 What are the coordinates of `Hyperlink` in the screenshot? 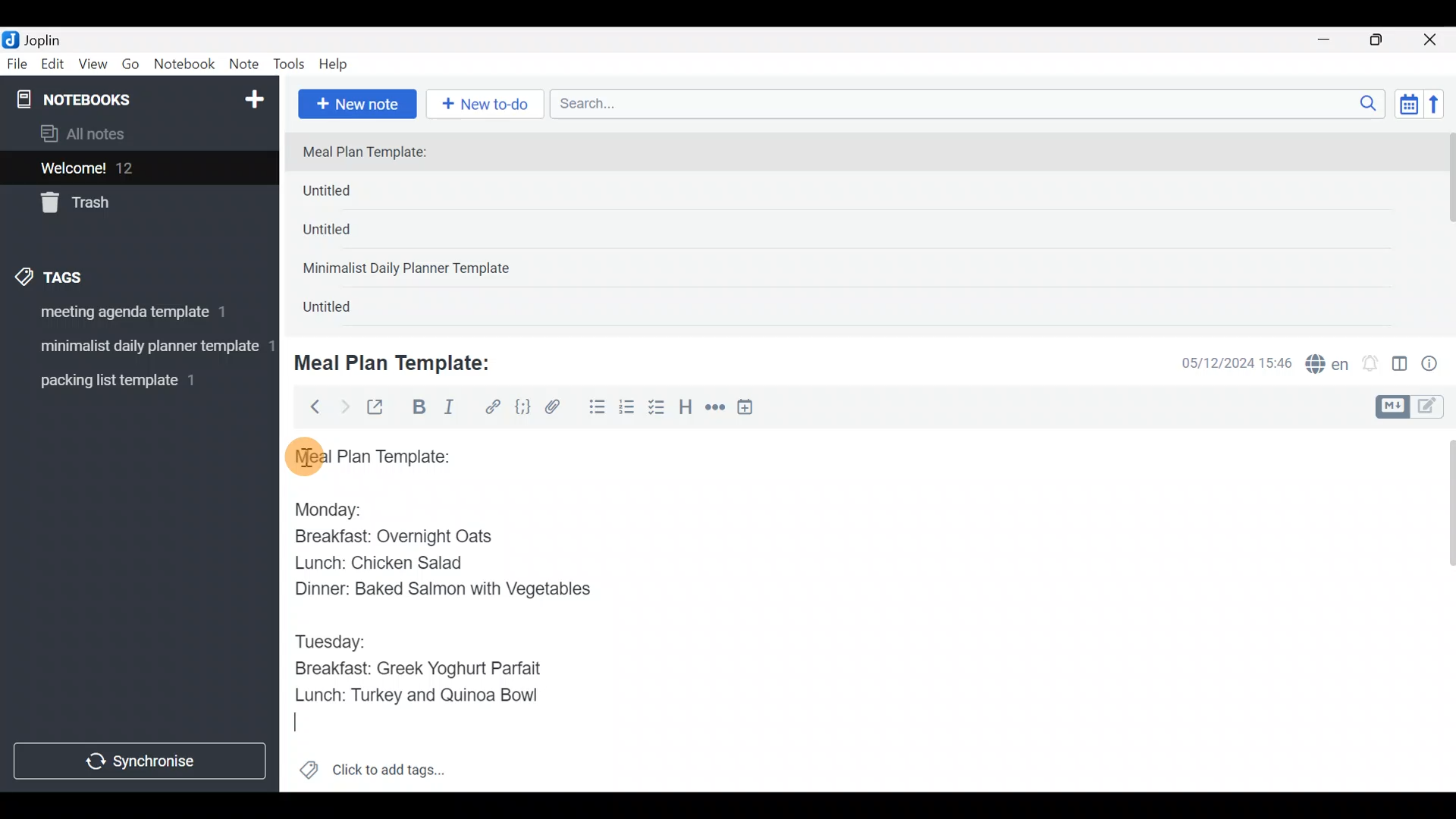 It's located at (493, 407).